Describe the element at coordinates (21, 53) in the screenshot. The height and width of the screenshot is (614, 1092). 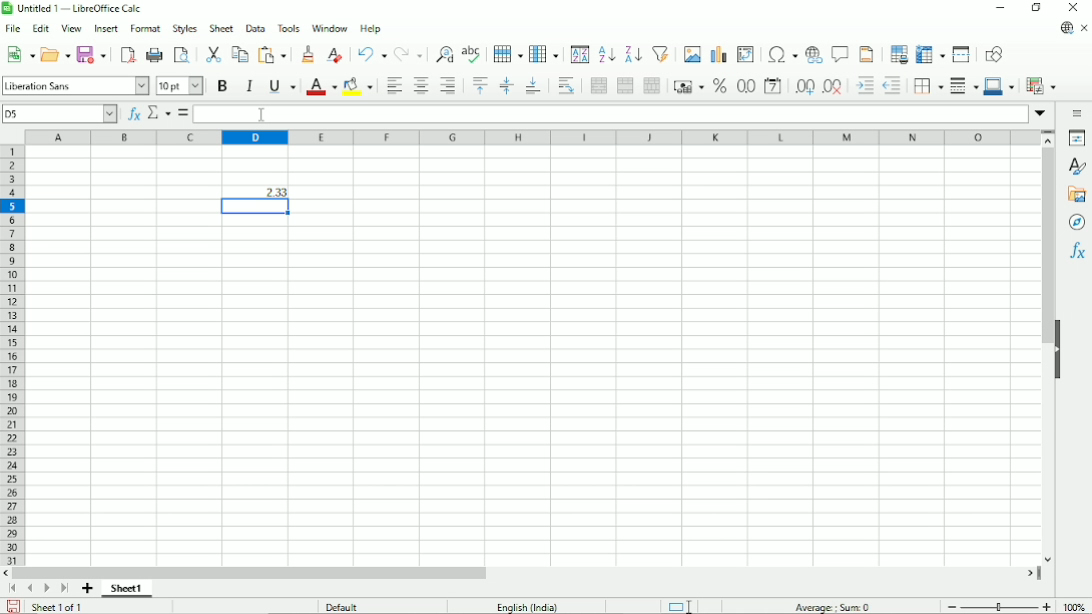
I see `New` at that location.